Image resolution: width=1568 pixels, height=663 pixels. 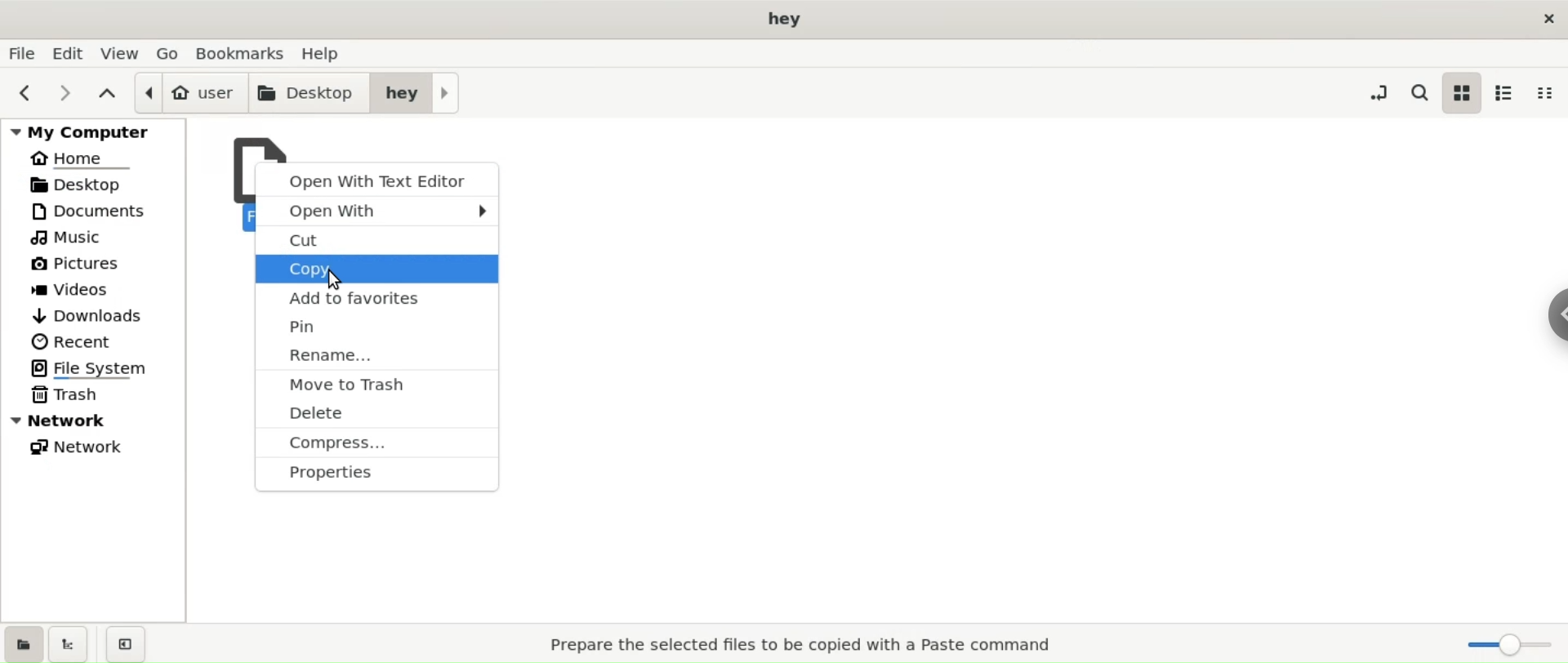 I want to click on previous, so click(x=24, y=93).